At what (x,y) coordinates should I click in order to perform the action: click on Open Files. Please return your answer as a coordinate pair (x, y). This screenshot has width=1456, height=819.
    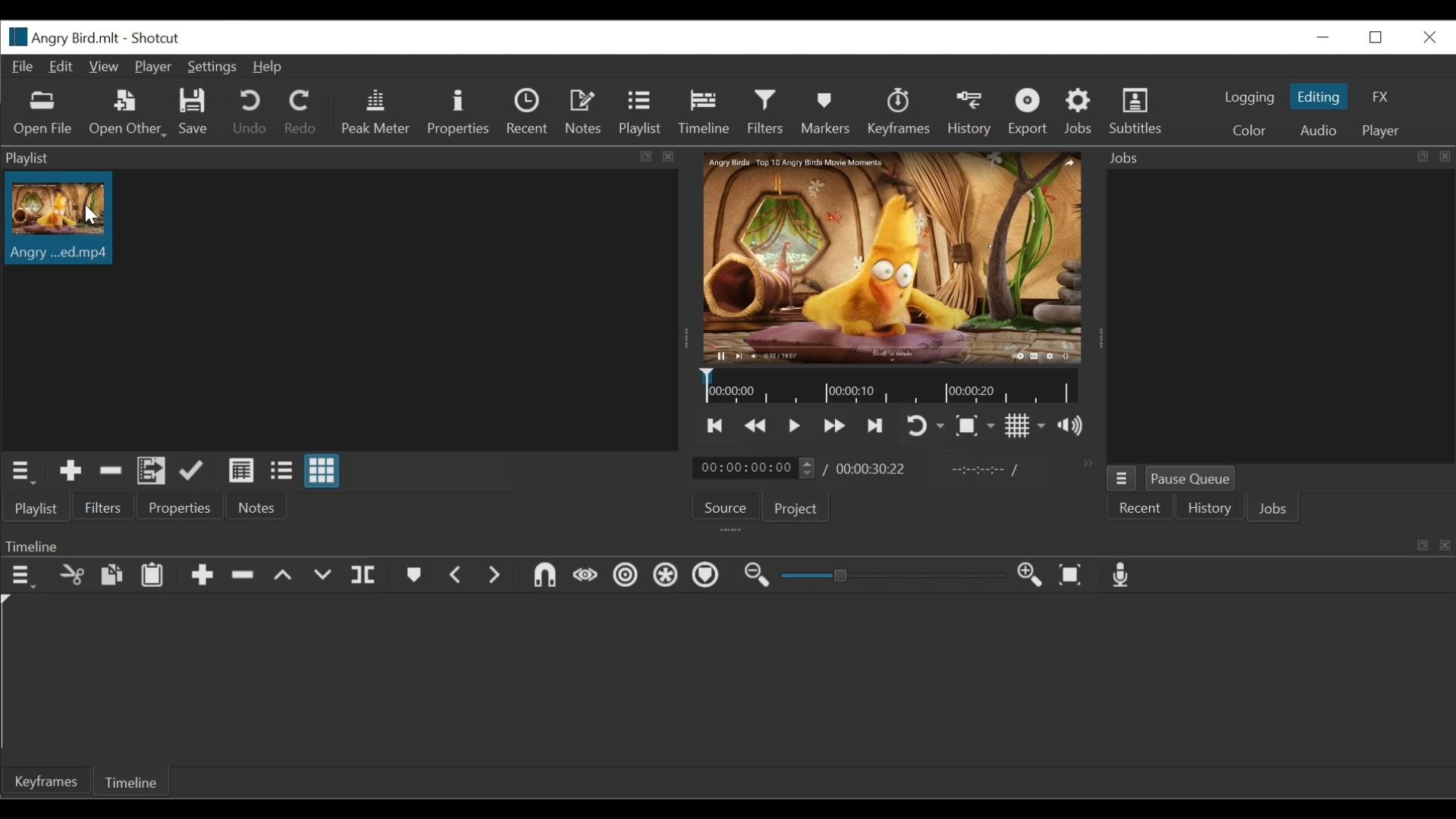
    Looking at the image, I should click on (45, 114).